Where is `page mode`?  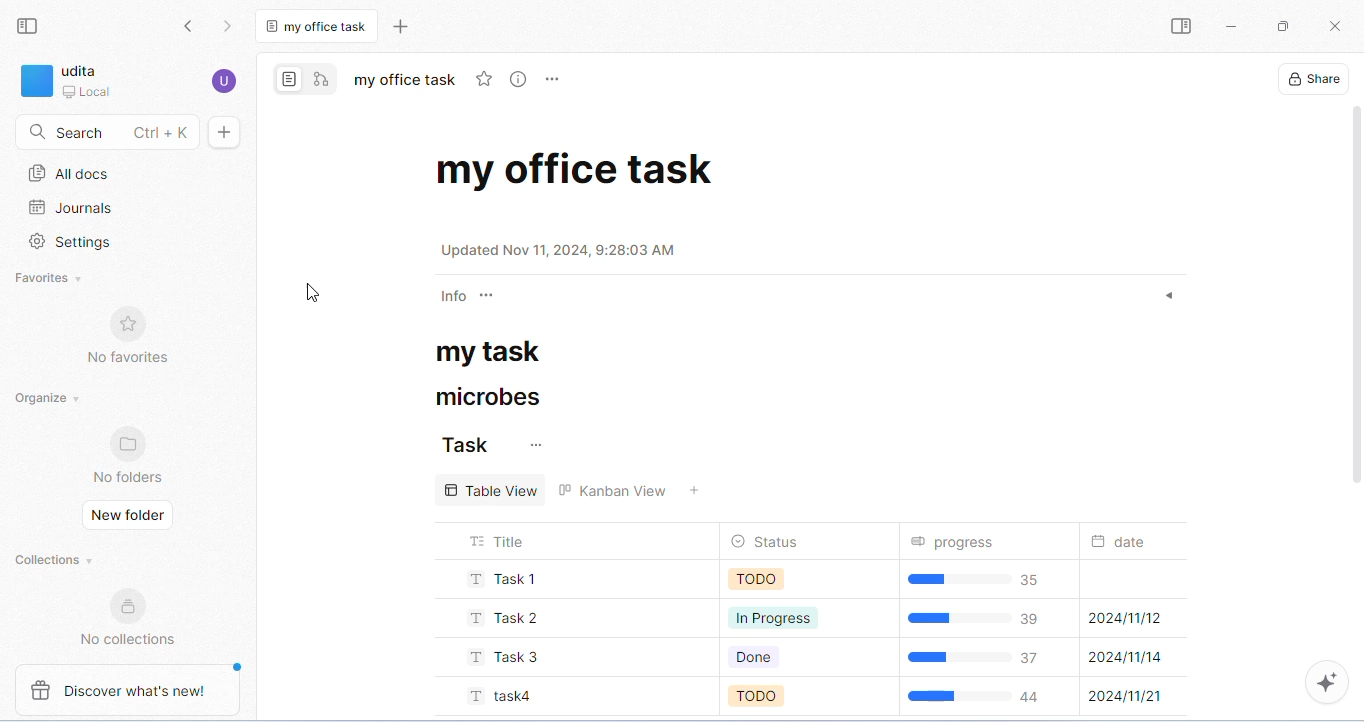
page mode is located at coordinates (288, 79).